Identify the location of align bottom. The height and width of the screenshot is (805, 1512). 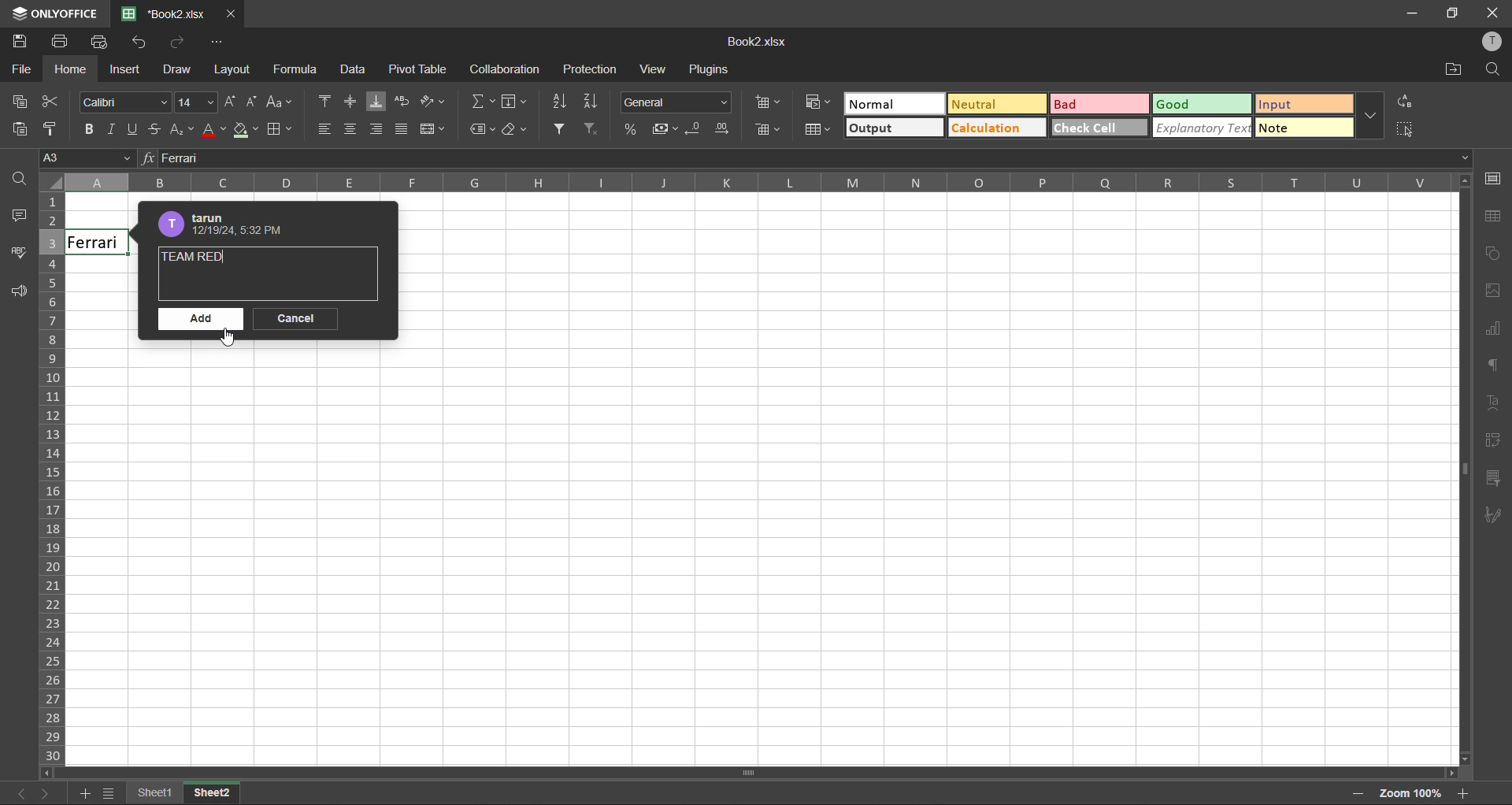
(377, 101).